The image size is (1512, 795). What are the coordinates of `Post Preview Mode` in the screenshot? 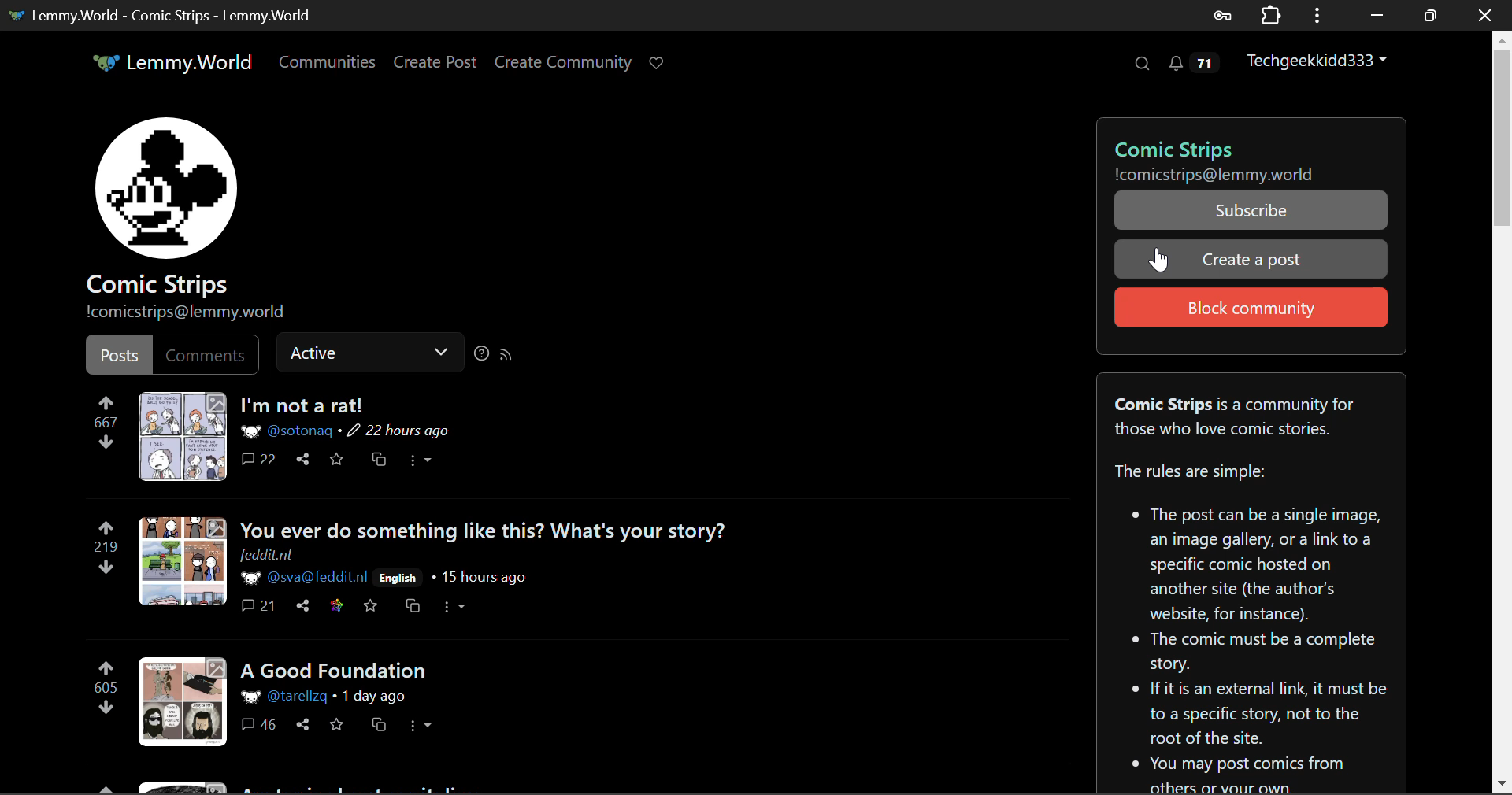 It's located at (181, 702).